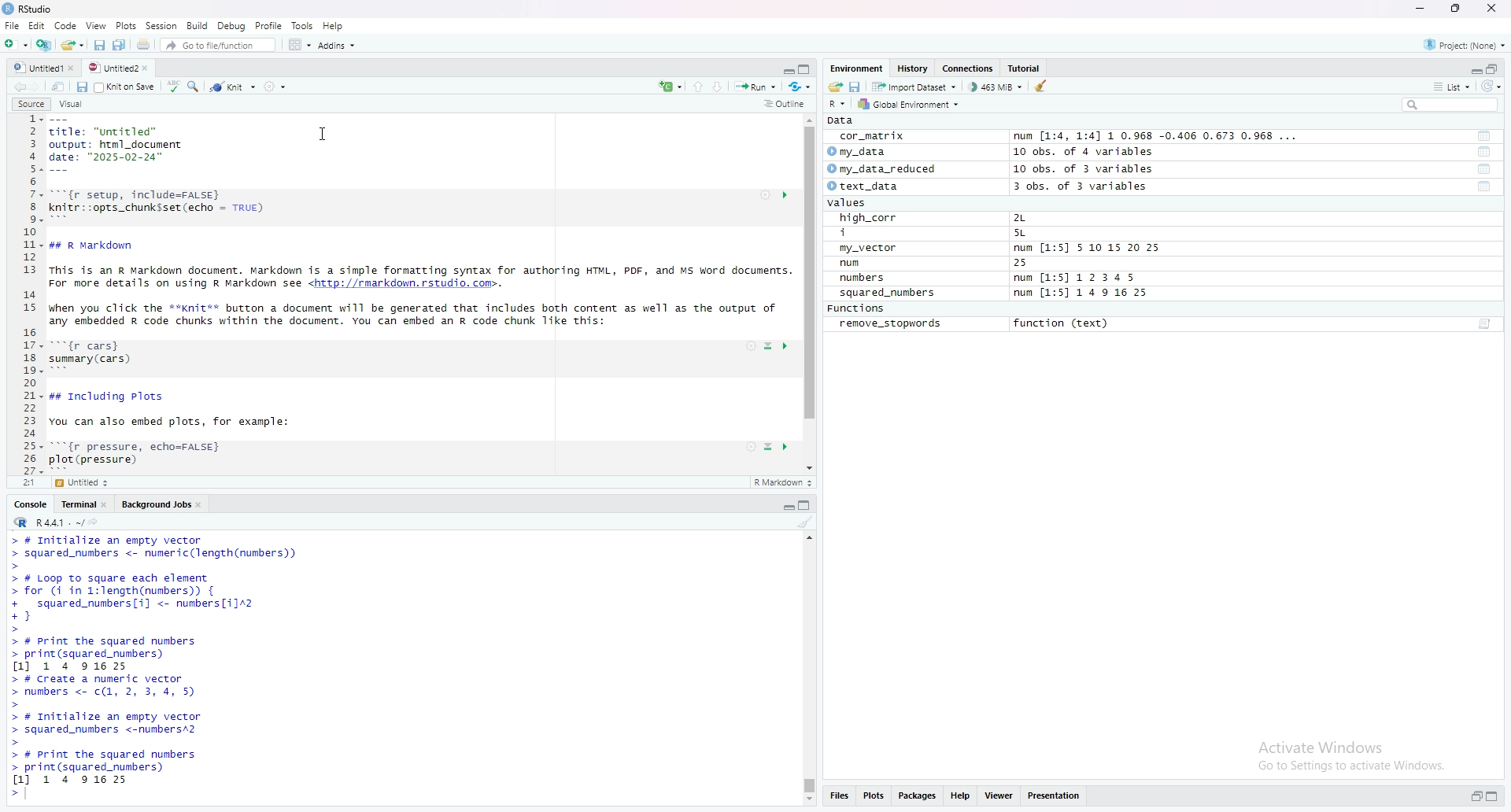 The image size is (1511, 812). Describe the element at coordinates (838, 797) in the screenshot. I see `Filles` at that location.